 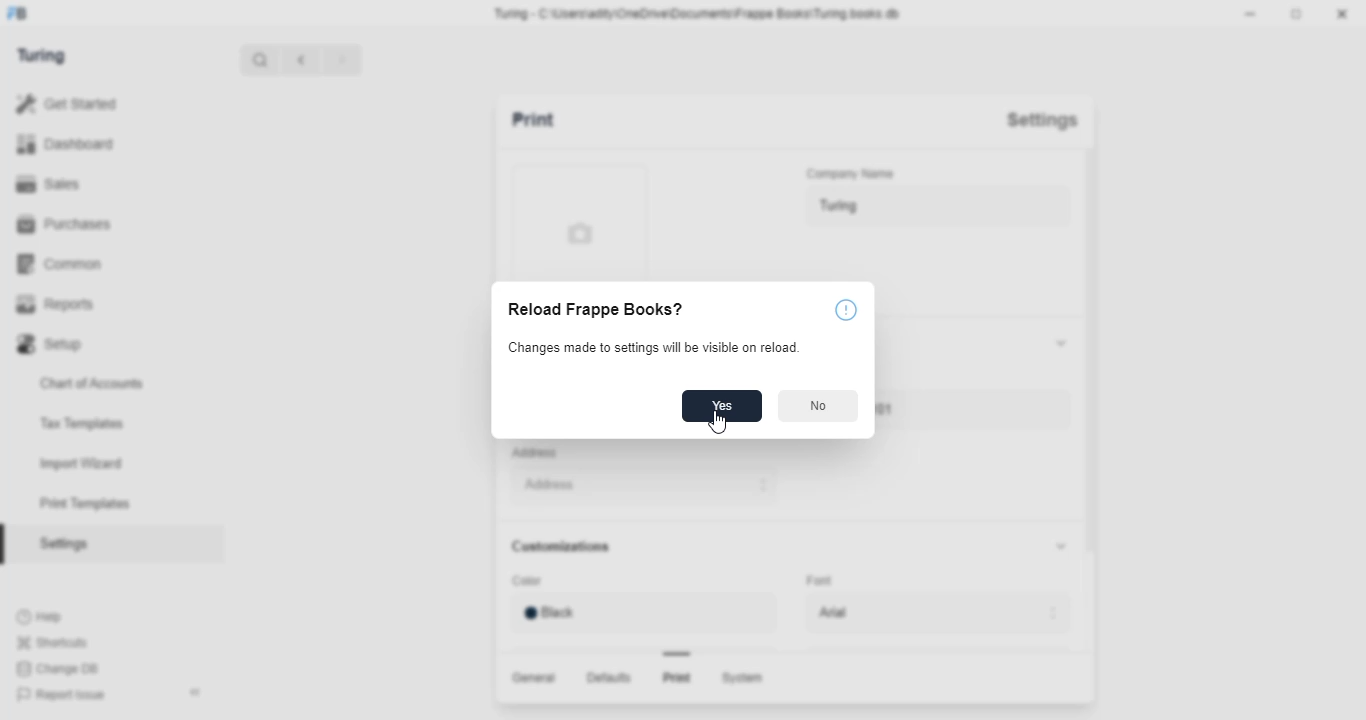 What do you see at coordinates (1345, 16) in the screenshot?
I see `close` at bounding box center [1345, 16].